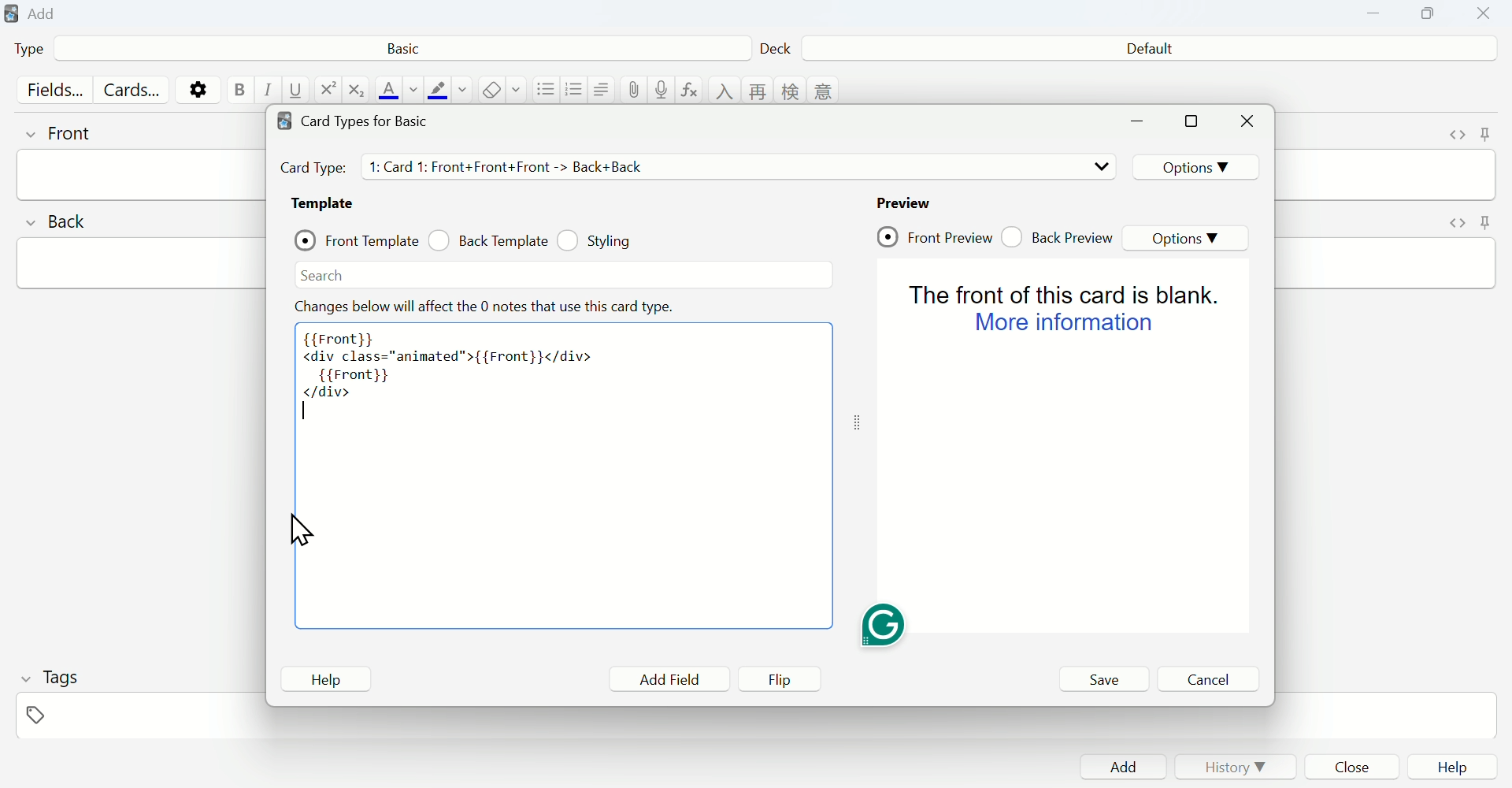 Image resolution: width=1512 pixels, height=788 pixels. Describe the element at coordinates (935, 237) in the screenshot. I see `Front Preview` at that location.